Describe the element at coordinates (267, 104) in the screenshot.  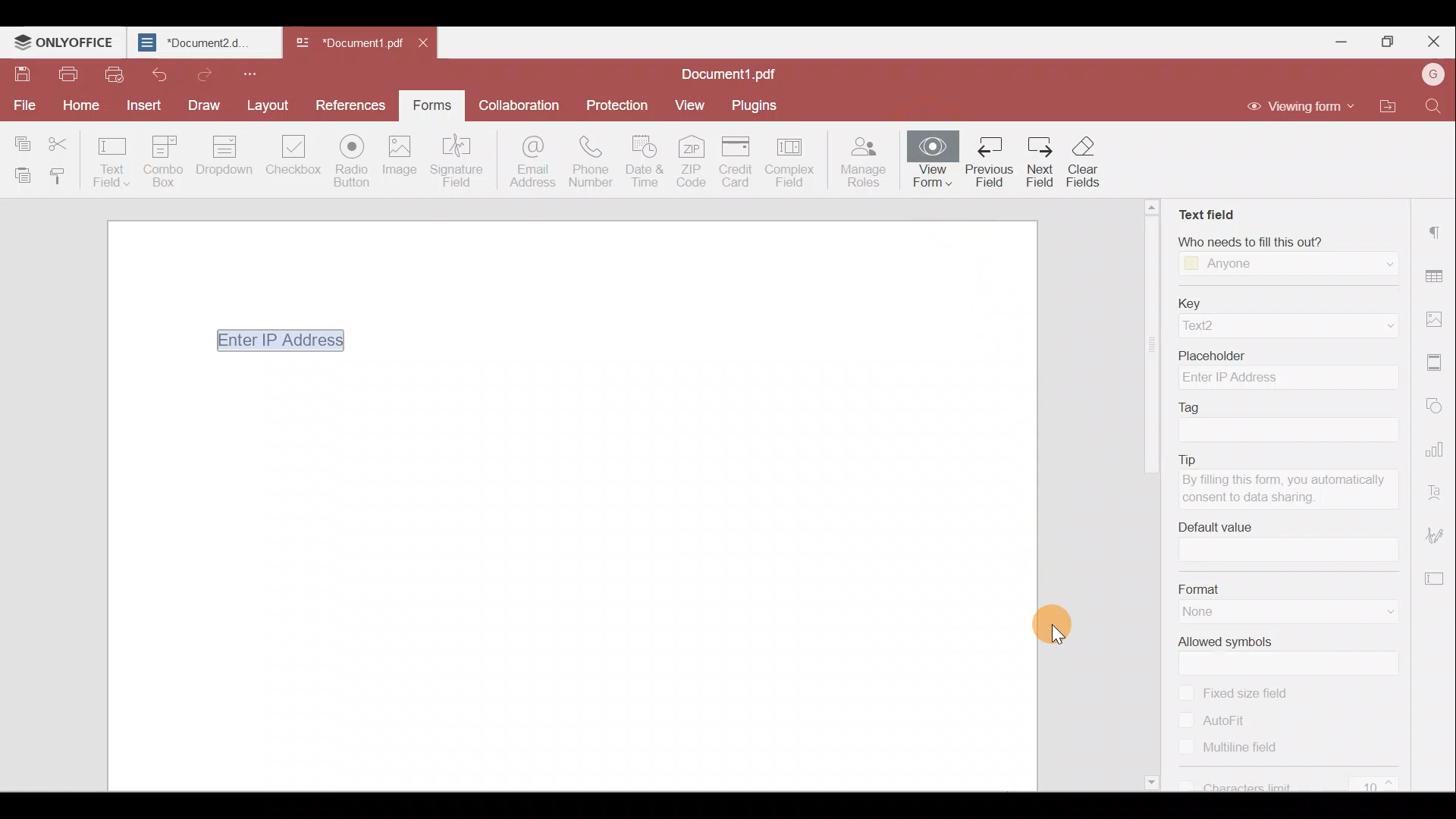
I see `Layout` at that location.